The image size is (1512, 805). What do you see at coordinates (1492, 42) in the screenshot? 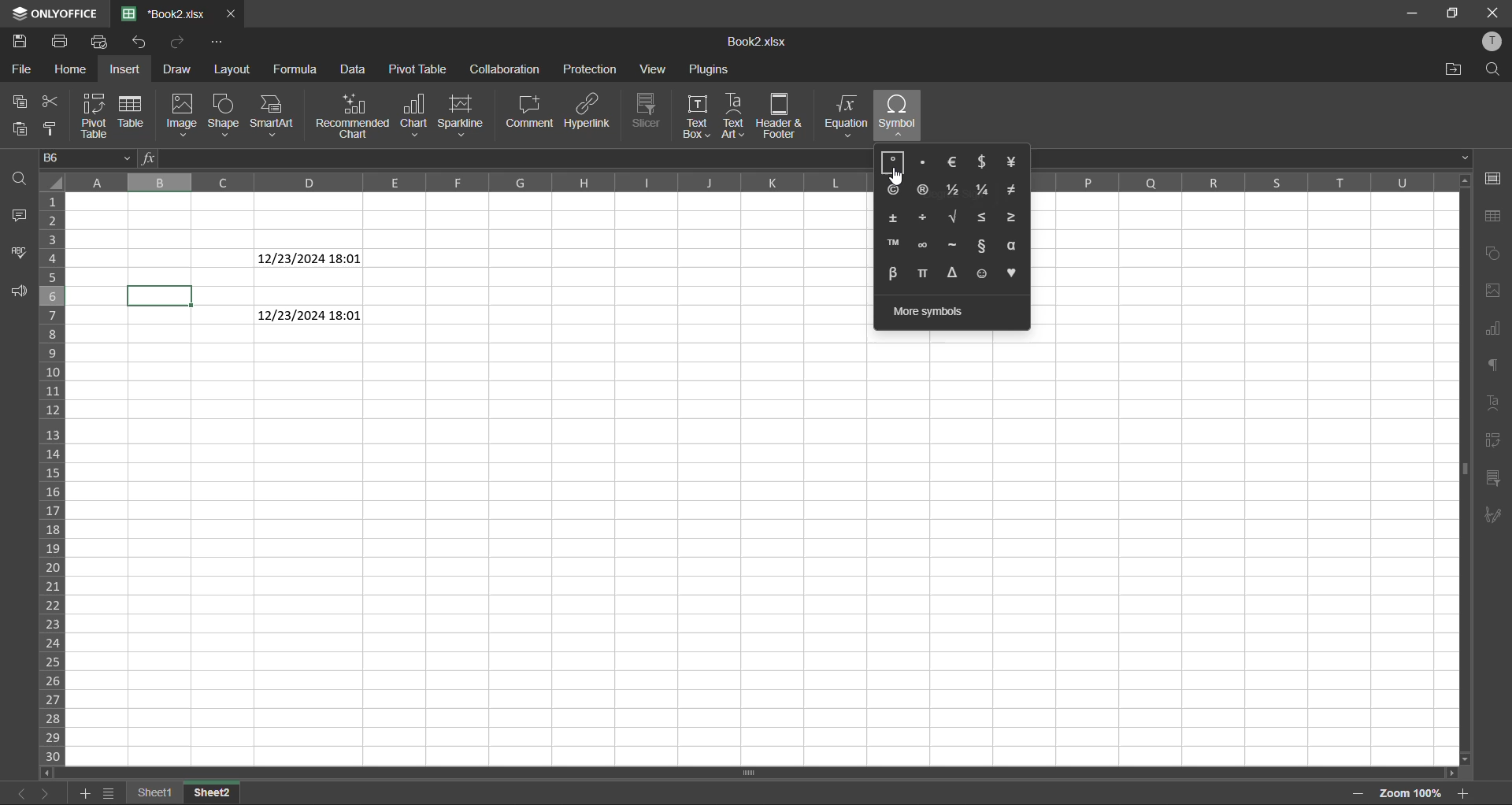
I see `profile` at bounding box center [1492, 42].